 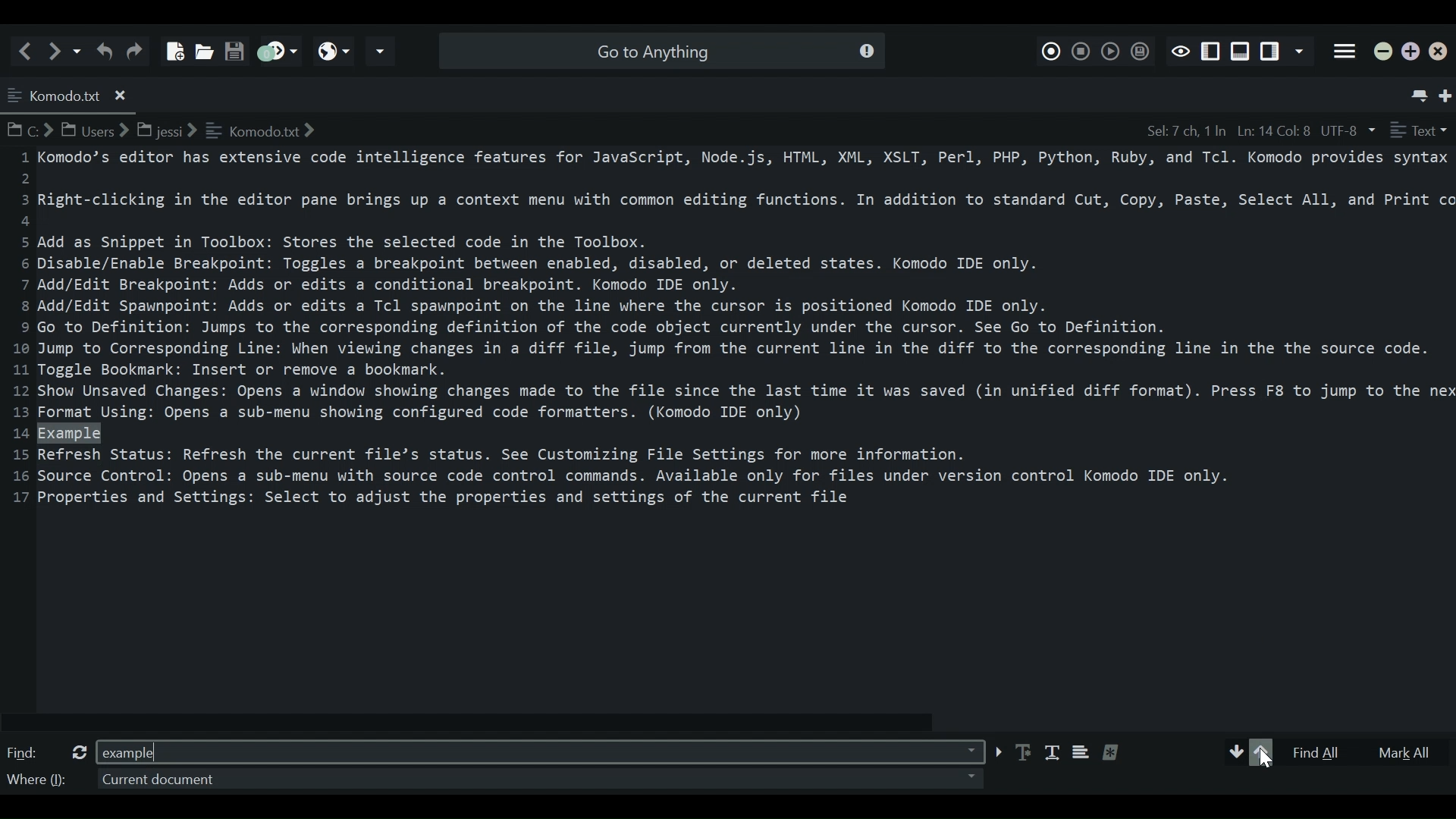 What do you see at coordinates (202, 47) in the screenshot?
I see `Open` at bounding box center [202, 47].